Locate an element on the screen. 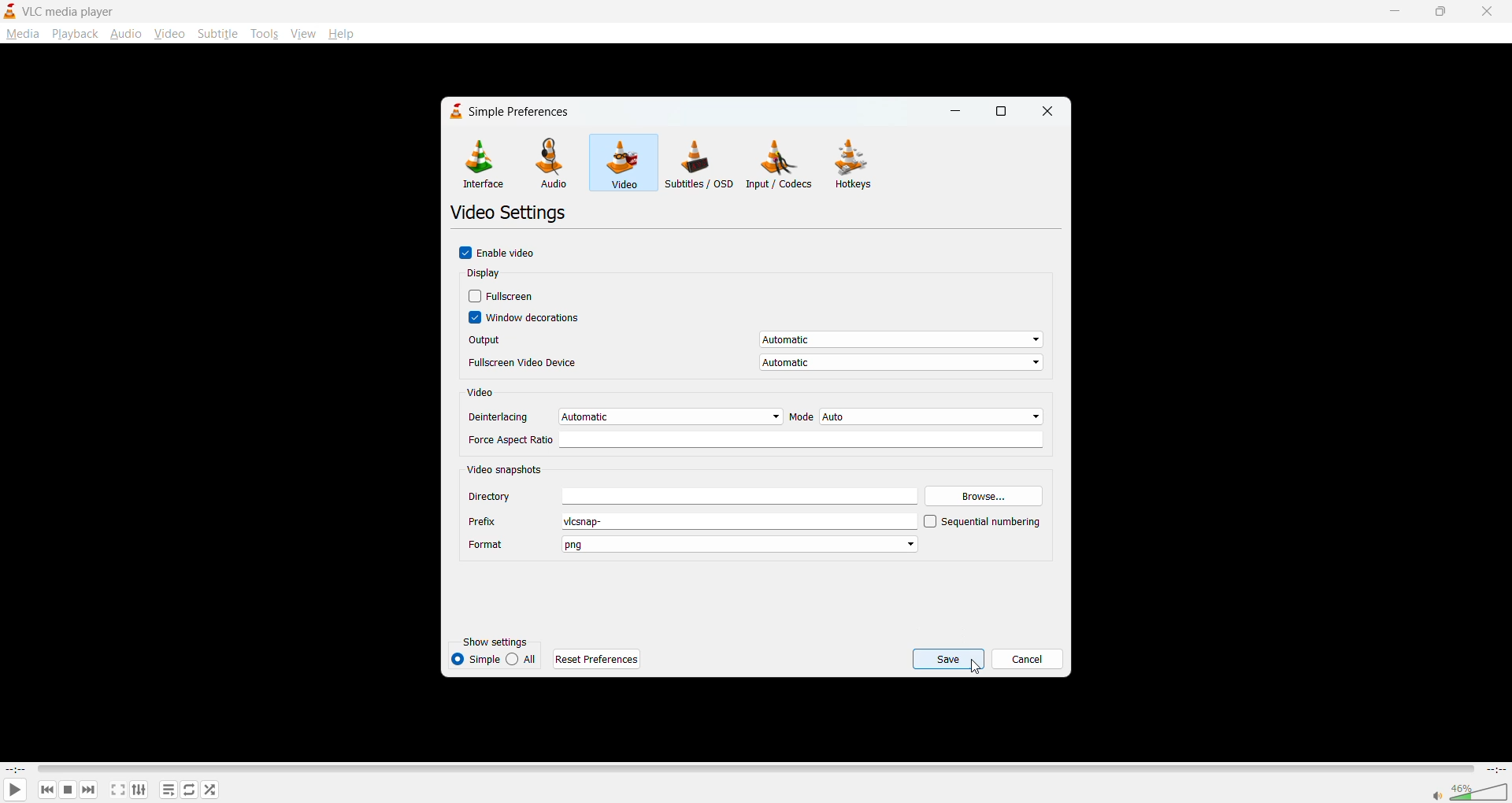 The image size is (1512, 803). maximize is located at coordinates (1440, 13).